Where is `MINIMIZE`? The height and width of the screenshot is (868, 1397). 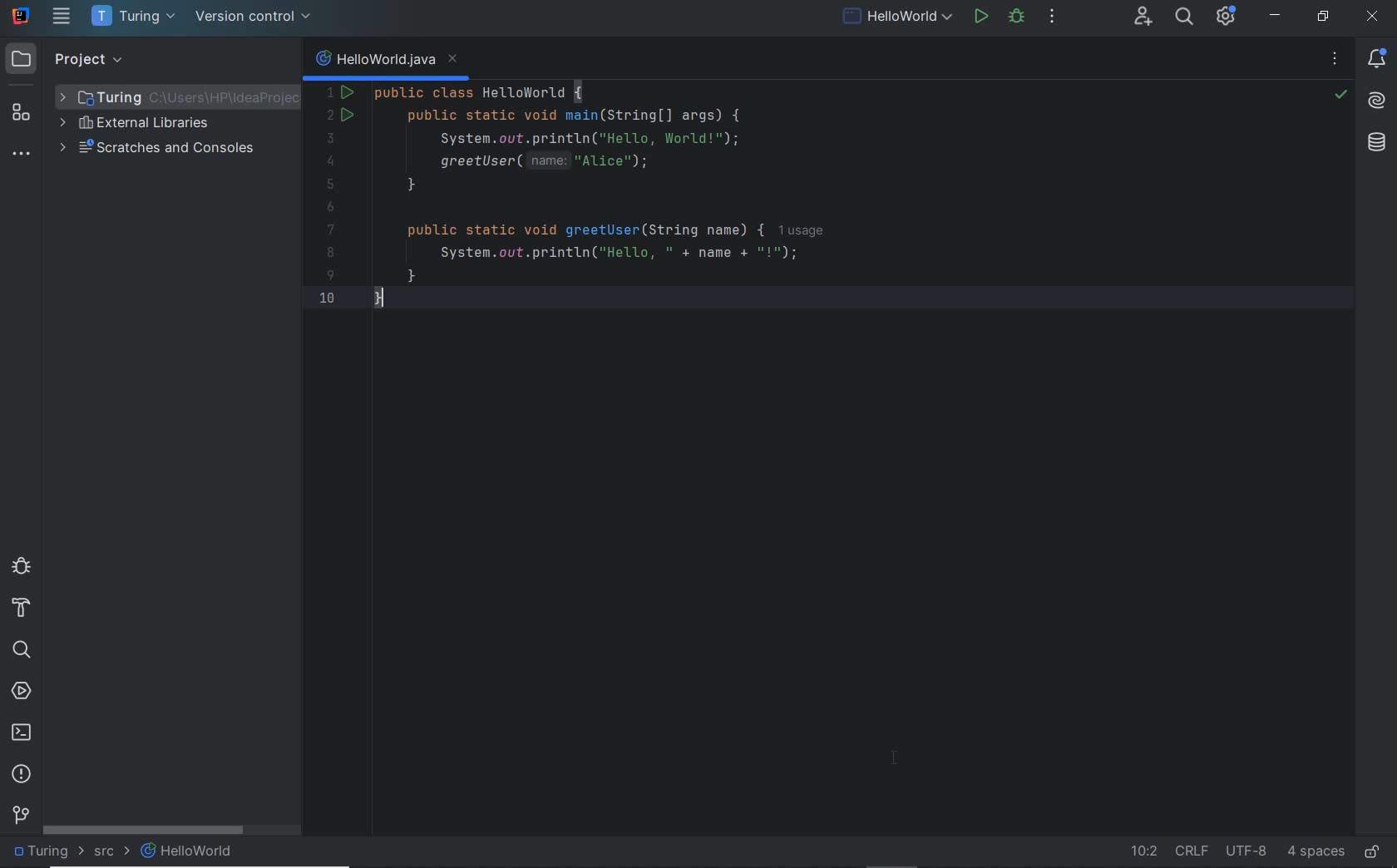 MINIMIZE is located at coordinates (1275, 16).